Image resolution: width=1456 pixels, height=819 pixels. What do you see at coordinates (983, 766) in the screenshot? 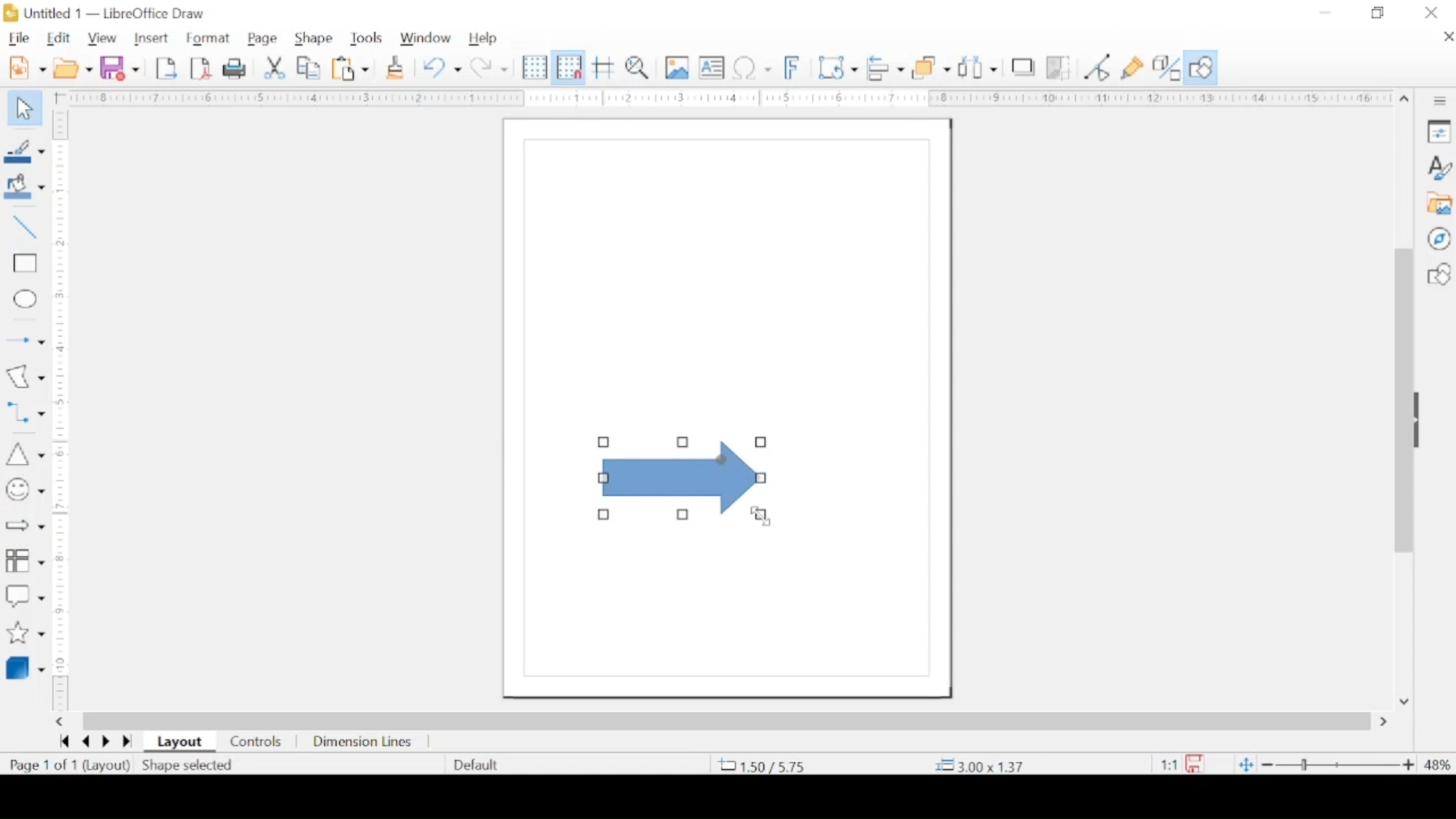
I see `coordinate` at bounding box center [983, 766].